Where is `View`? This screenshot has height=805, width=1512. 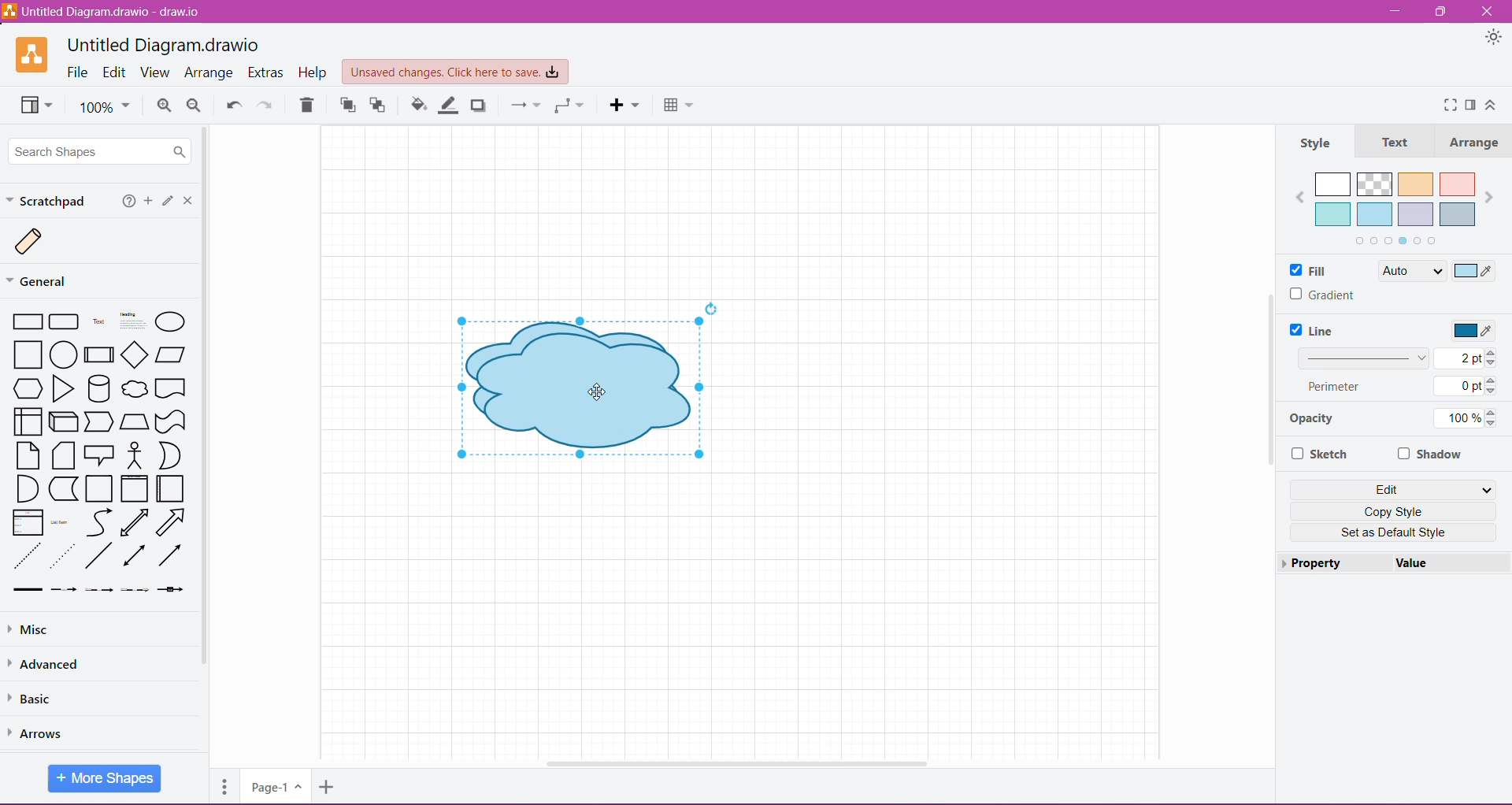 View is located at coordinates (39, 106).